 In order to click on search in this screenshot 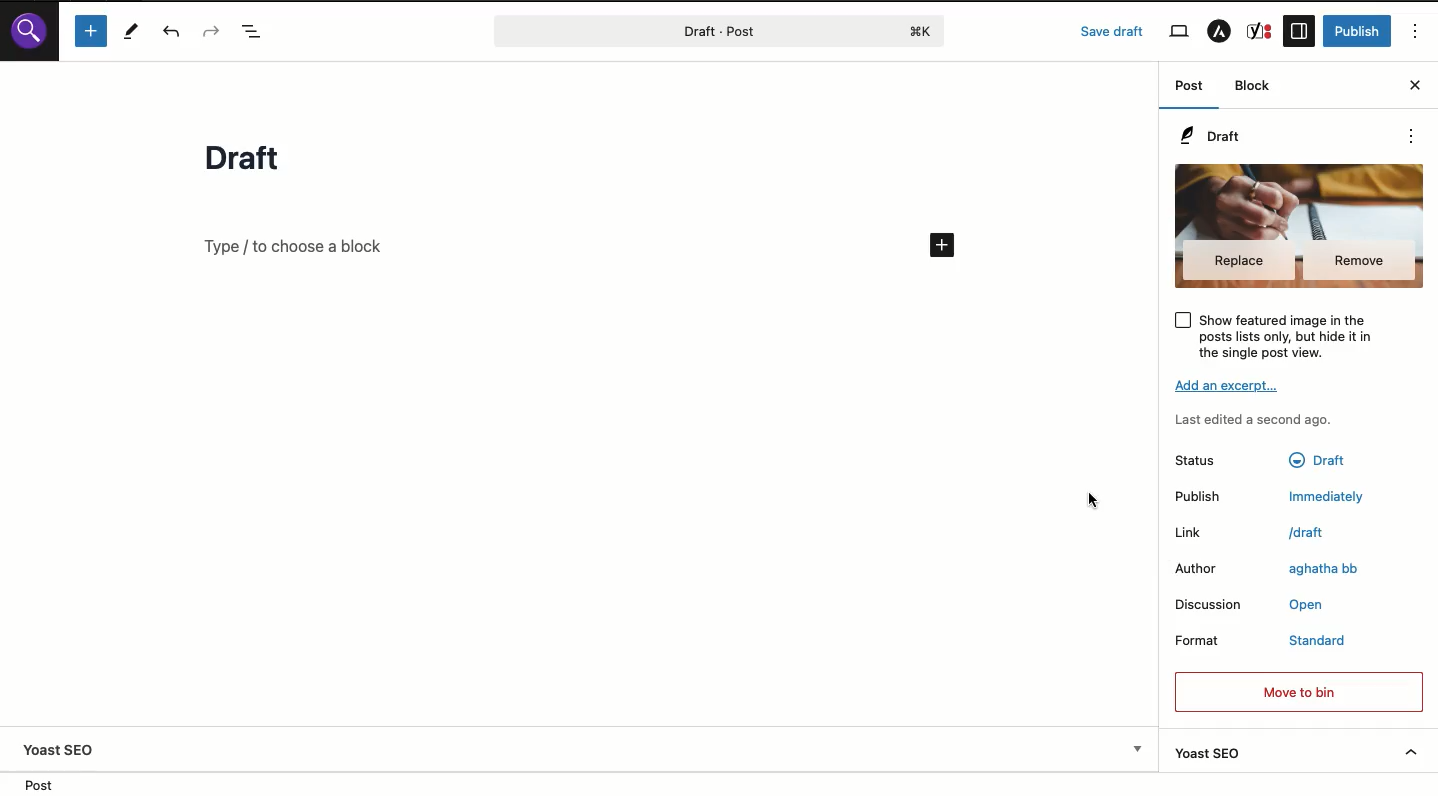, I will do `click(29, 33)`.